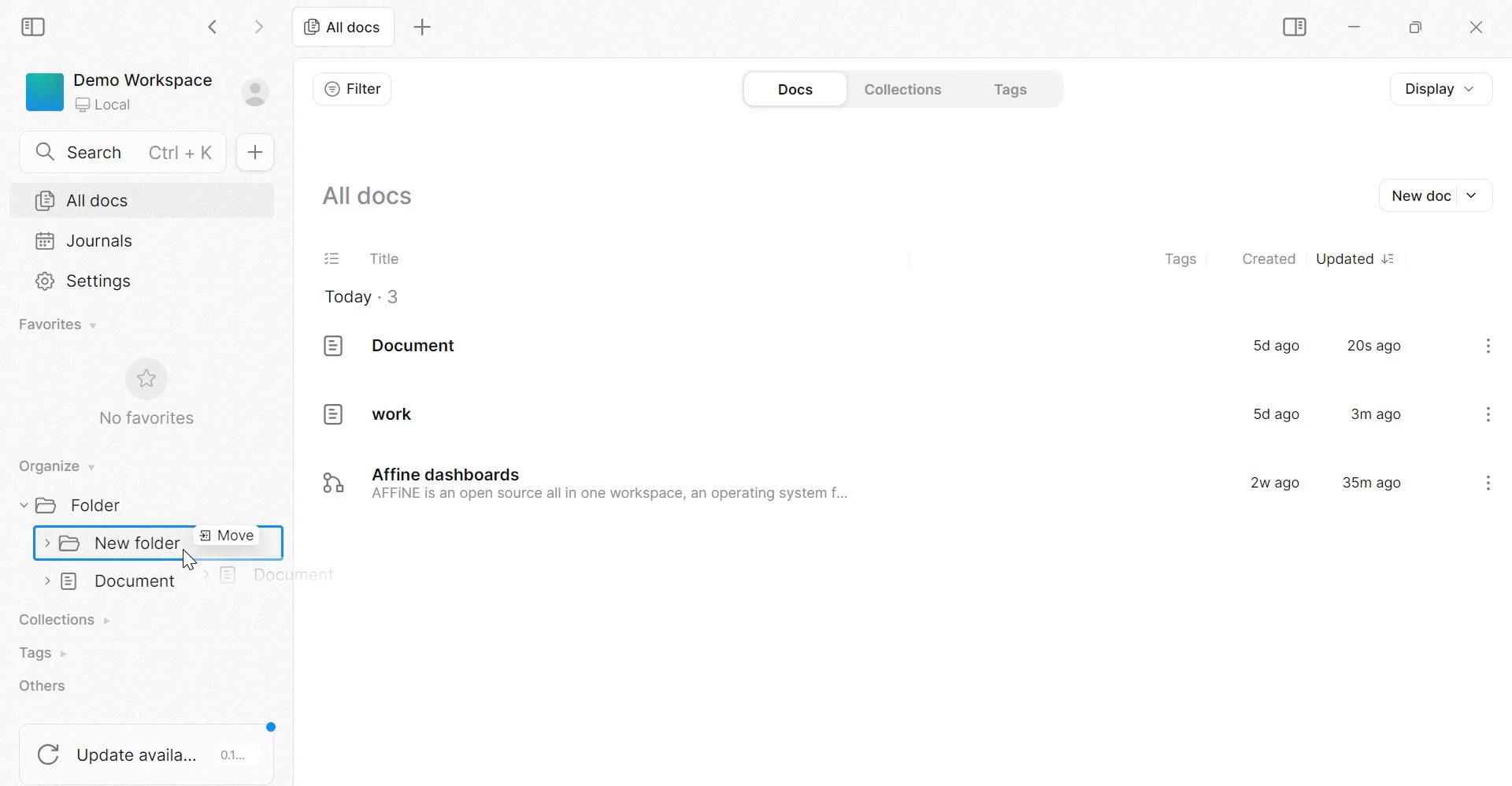 The image size is (1512, 786). Describe the element at coordinates (227, 536) in the screenshot. I see `move` at that location.